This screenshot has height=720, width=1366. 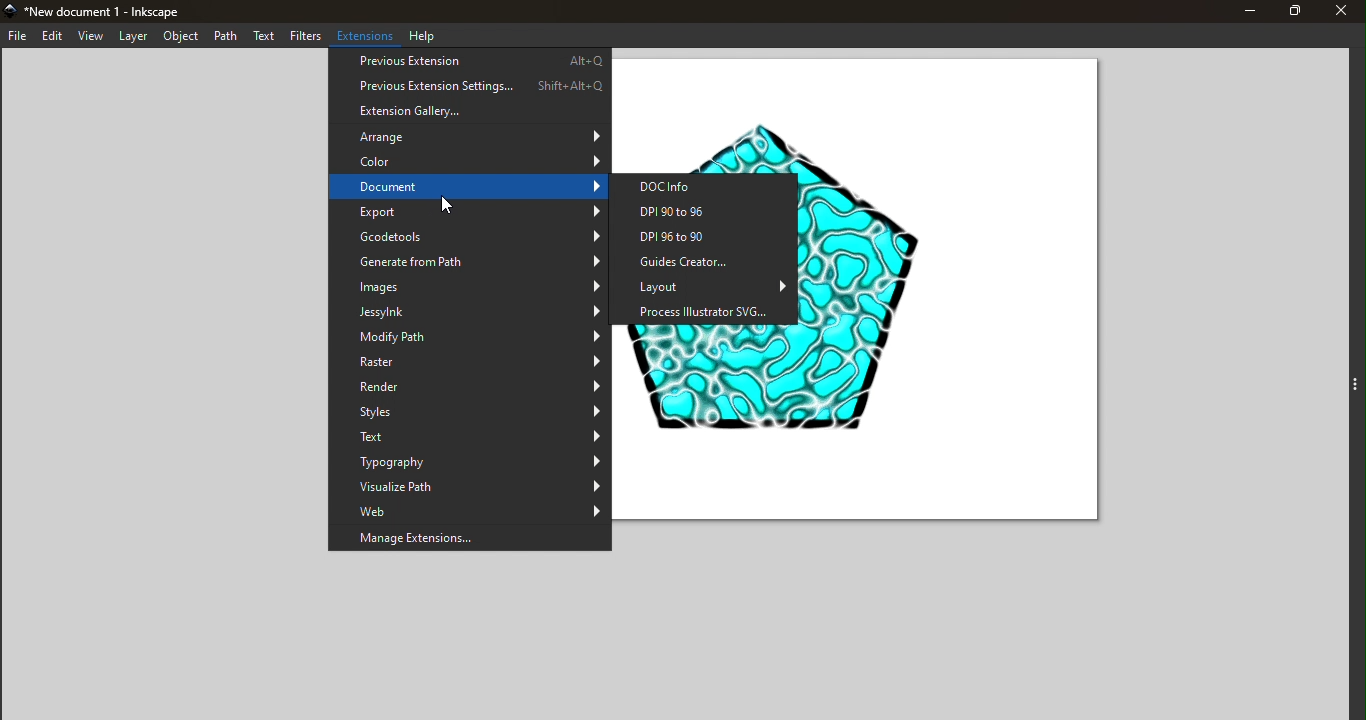 What do you see at coordinates (466, 238) in the screenshot?
I see `Gcodetools` at bounding box center [466, 238].